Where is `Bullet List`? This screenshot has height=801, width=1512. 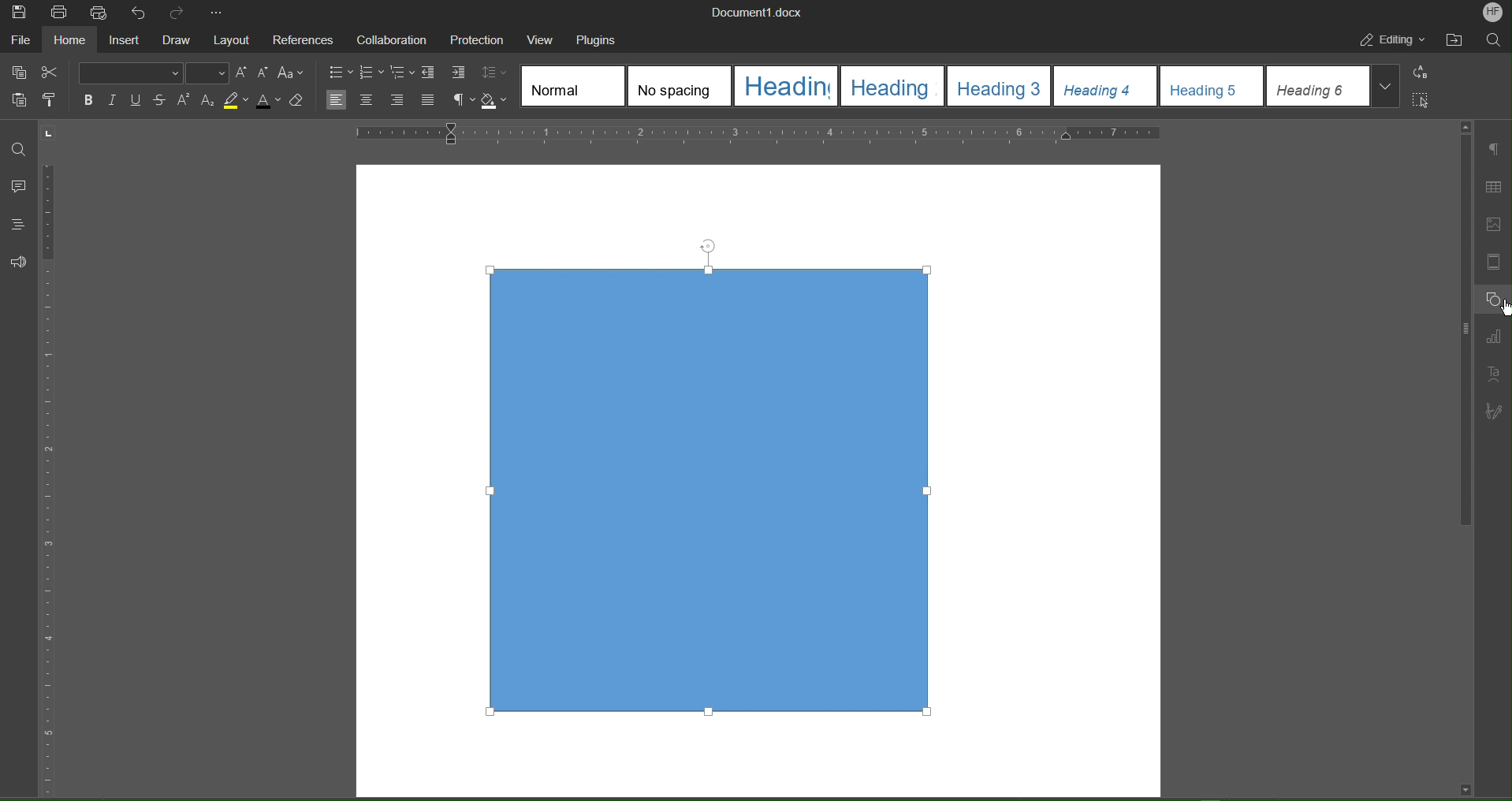 Bullet List is located at coordinates (340, 71).